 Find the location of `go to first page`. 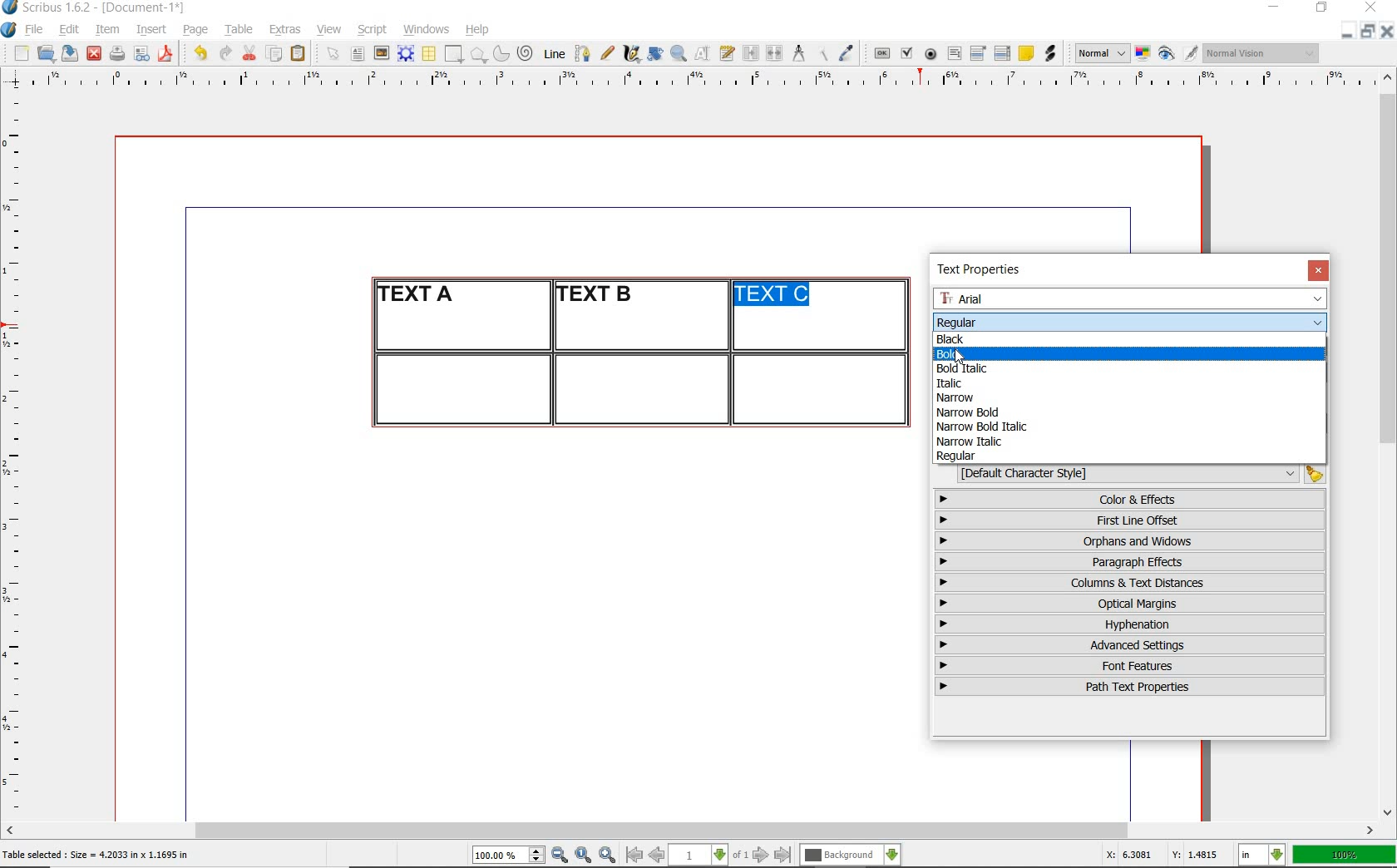

go to first page is located at coordinates (633, 855).